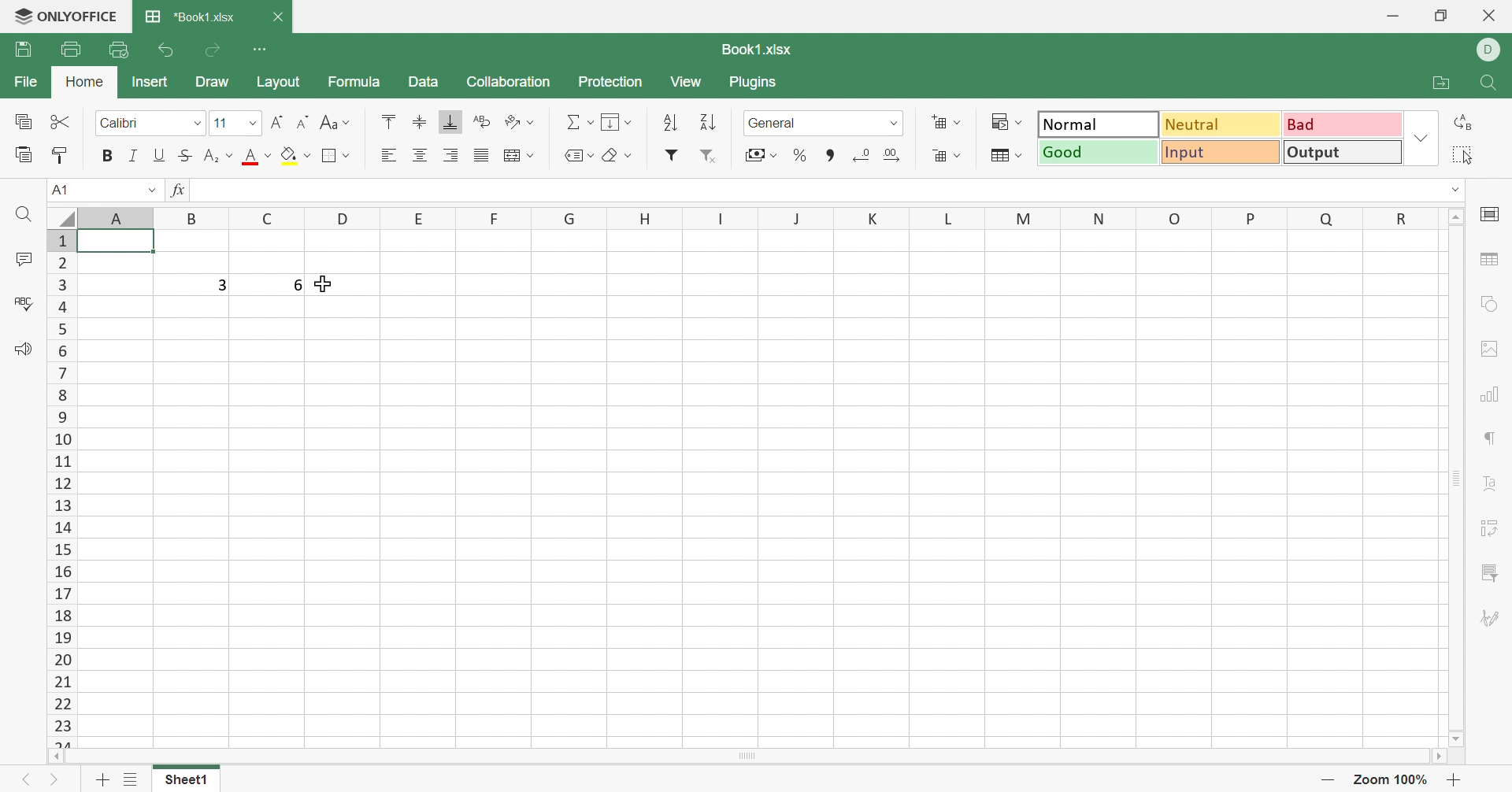  I want to click on Find, so click(1492, 83).